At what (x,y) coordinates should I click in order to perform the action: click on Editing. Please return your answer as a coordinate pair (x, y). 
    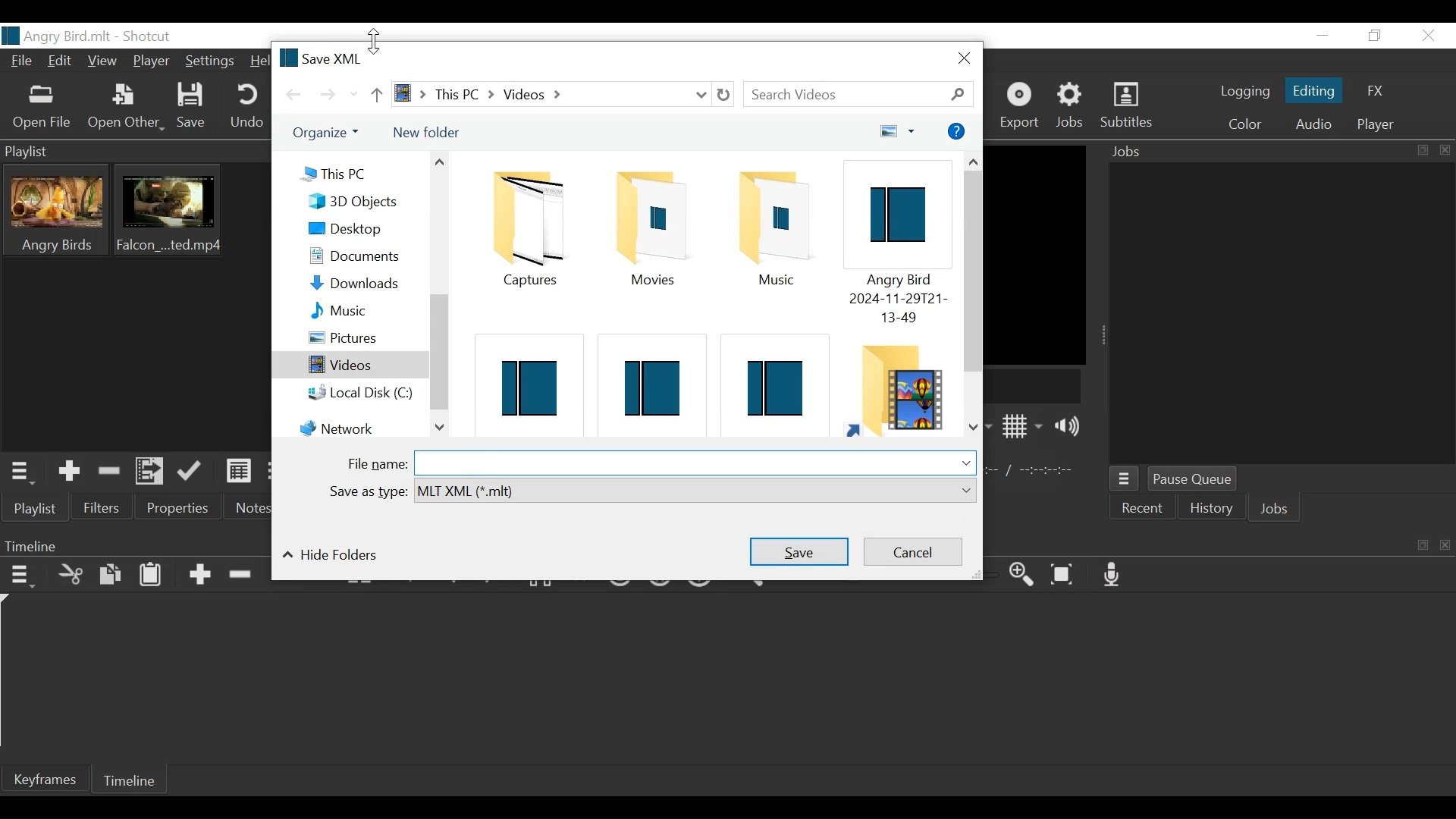
    Looking at the image, I should click on (1313, 93).